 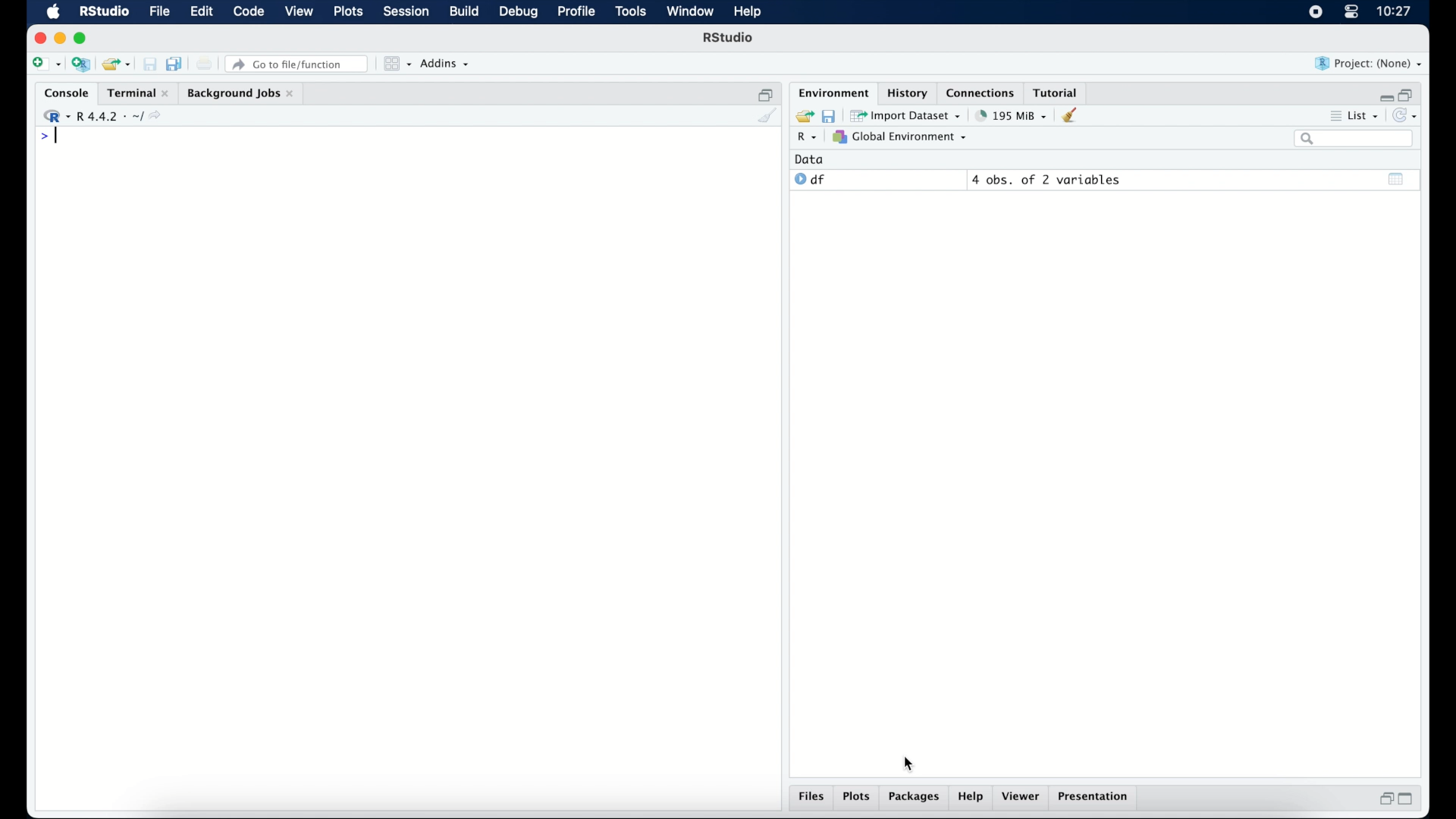 What do you see at coordinates (915, 799) in the screenshot?
I see `packages` at bounding box center [915, 799].